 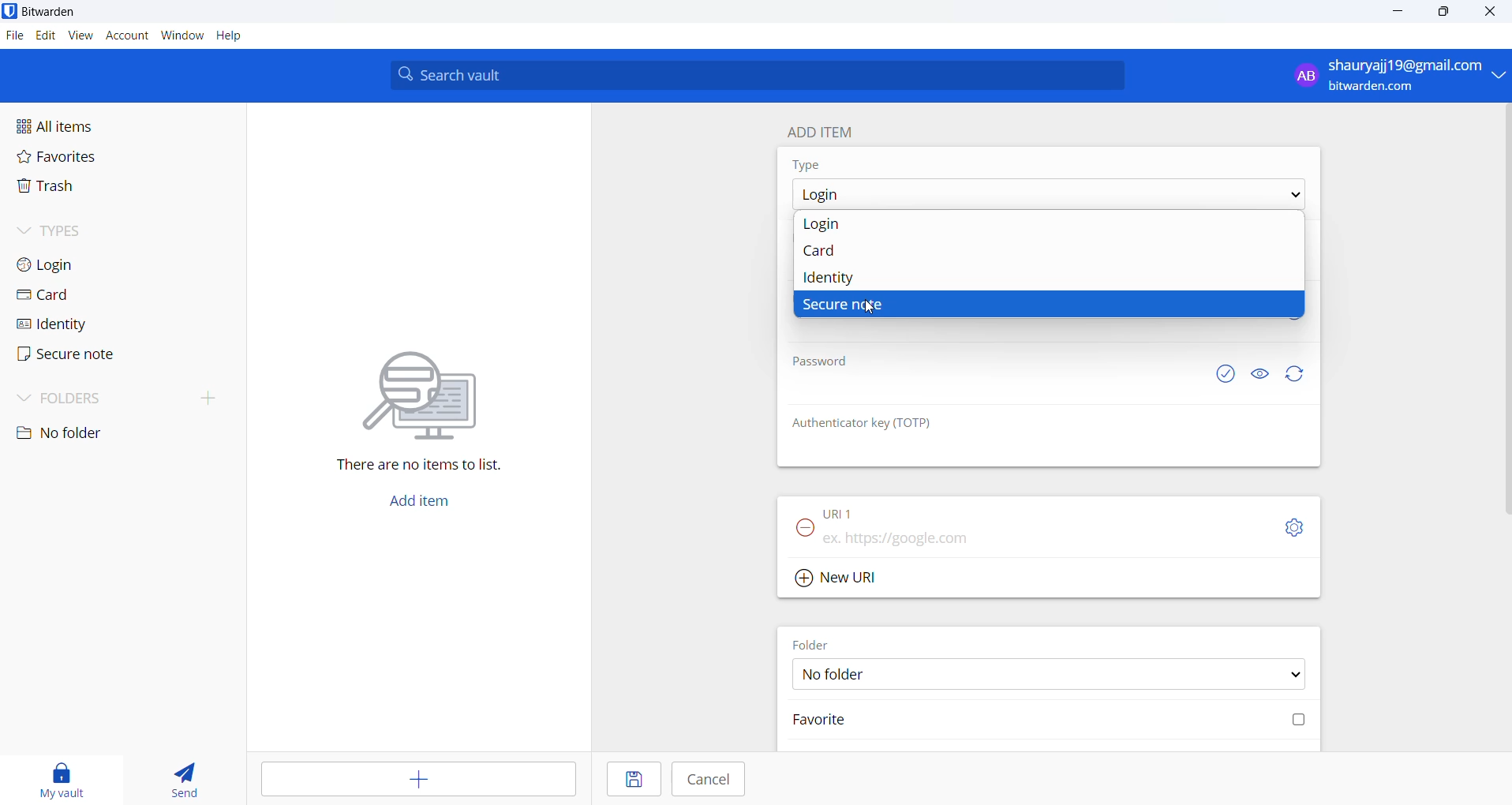 What do you see at coordinates (872, 309) in the screenshot?
I see `cursor` at bounding box center [872, 309].